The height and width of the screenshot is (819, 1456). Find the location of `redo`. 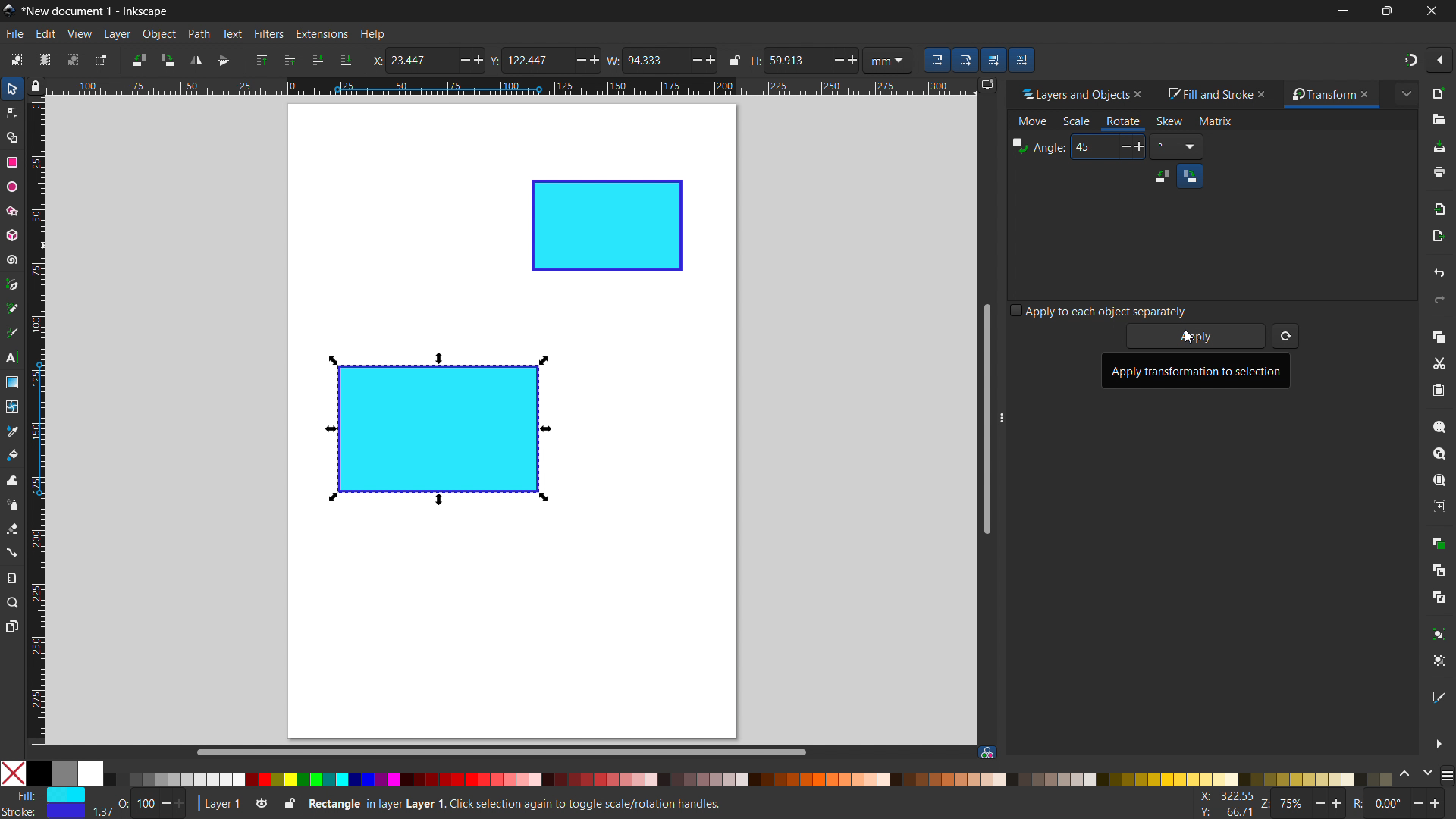

redo is located at coordinates (1439, 300).